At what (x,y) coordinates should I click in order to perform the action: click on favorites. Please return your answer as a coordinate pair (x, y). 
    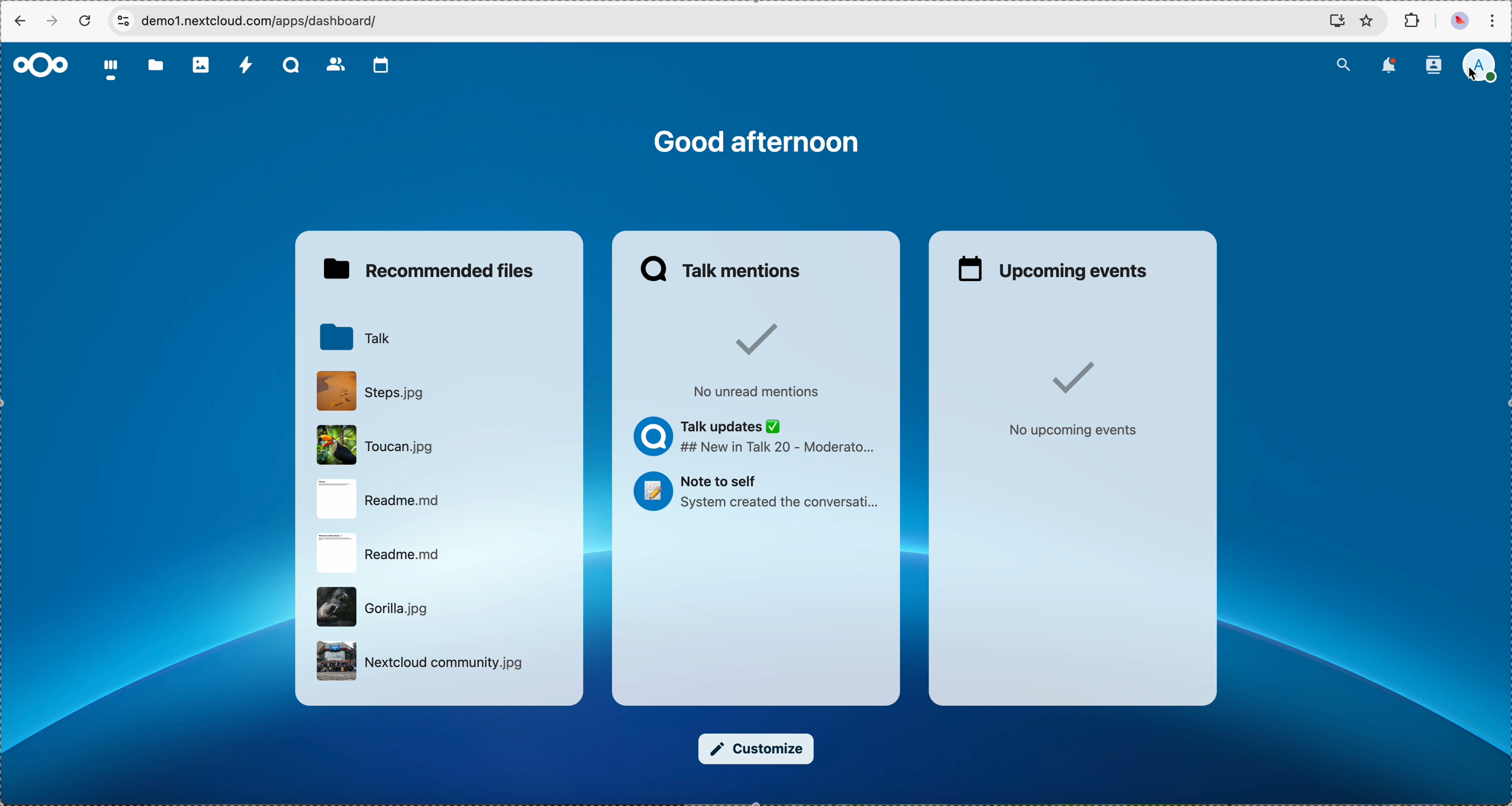
    Looking at the image, I should click on (1366, 22).